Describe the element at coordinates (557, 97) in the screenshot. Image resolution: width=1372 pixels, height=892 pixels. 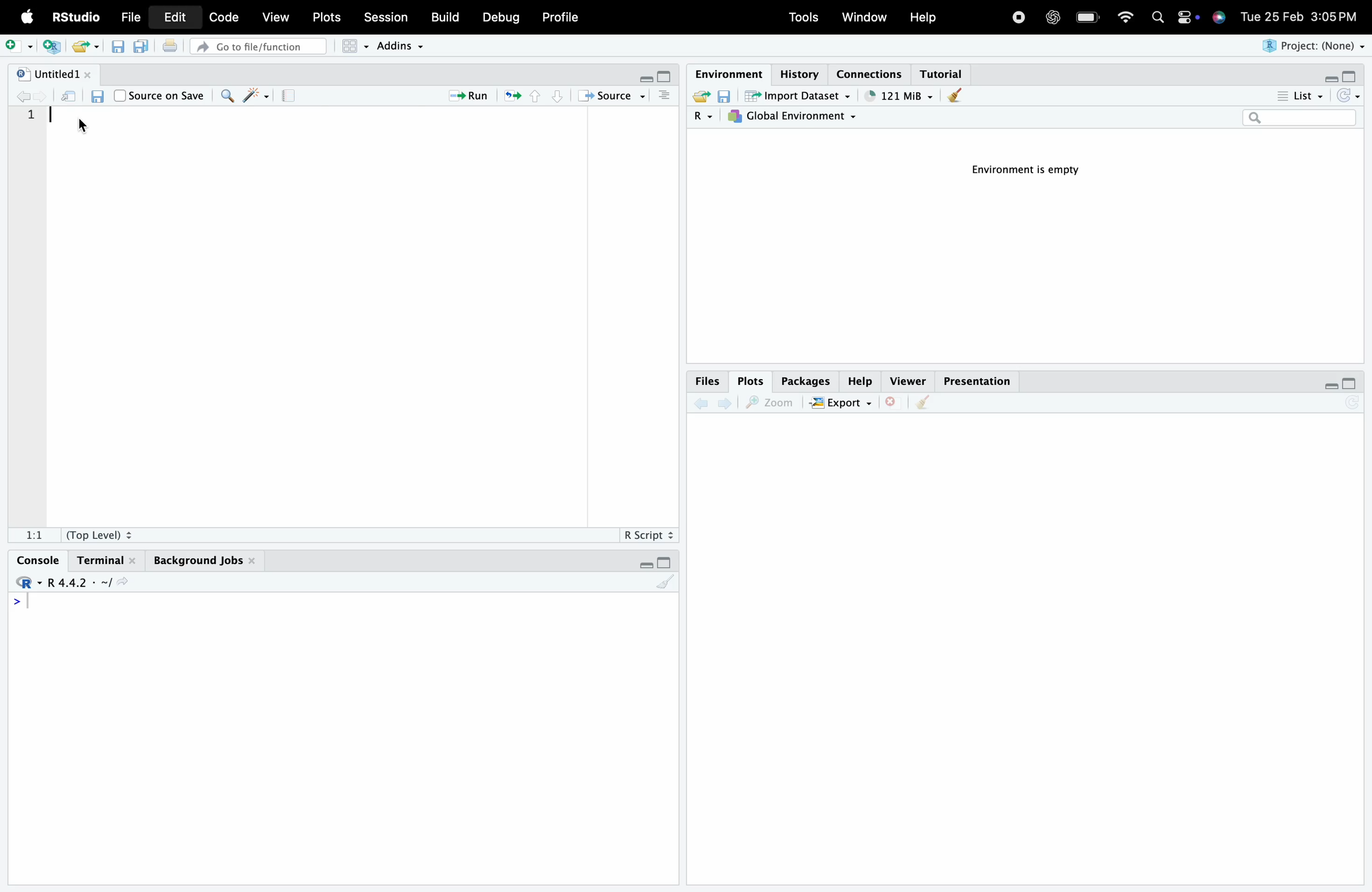
I see `Go to next section/chunk (Ctrl + pgDn)` at that location.